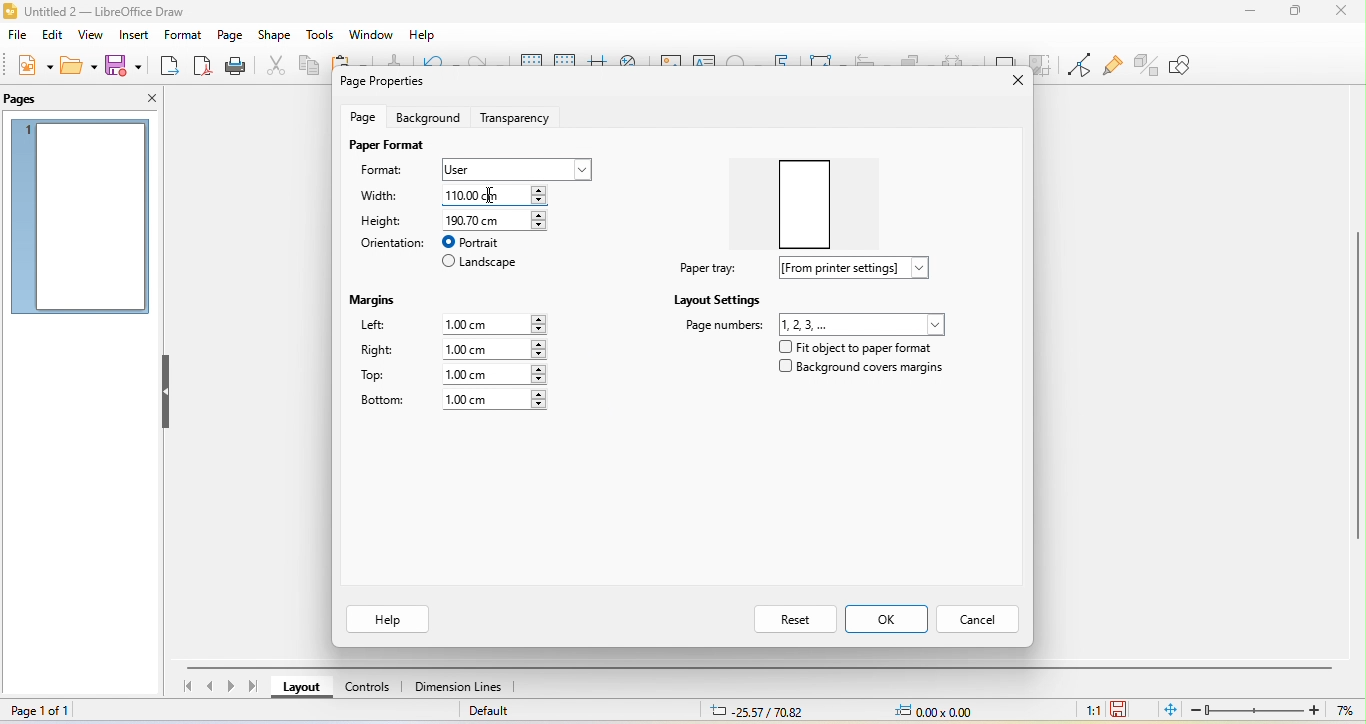  Describe the element at coordinates (180, 37) in the screenshot. I see `format` at that location.